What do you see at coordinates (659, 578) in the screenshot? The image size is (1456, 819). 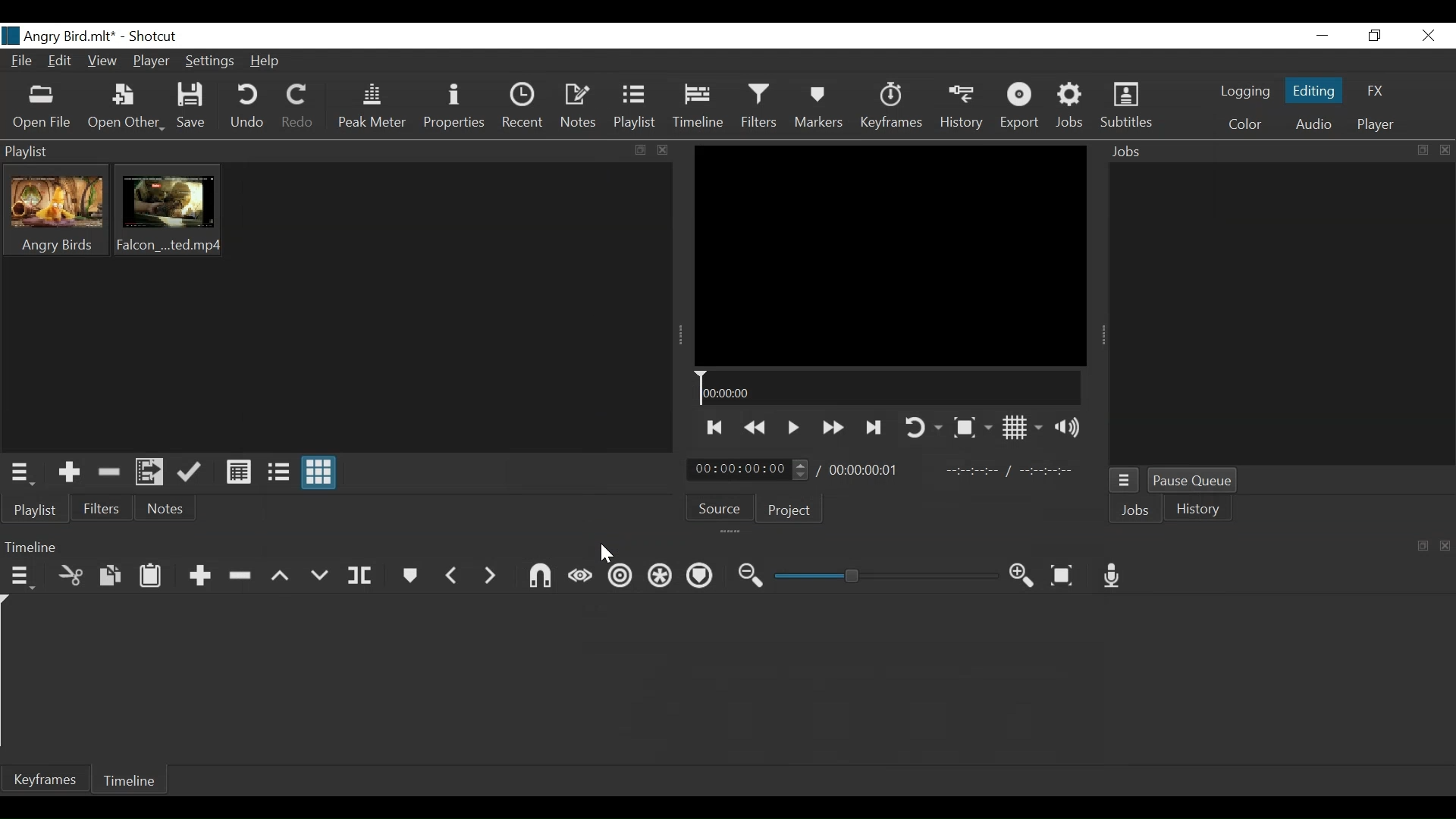 I see `Ripple all tracks` at bounding box center [659, 578].